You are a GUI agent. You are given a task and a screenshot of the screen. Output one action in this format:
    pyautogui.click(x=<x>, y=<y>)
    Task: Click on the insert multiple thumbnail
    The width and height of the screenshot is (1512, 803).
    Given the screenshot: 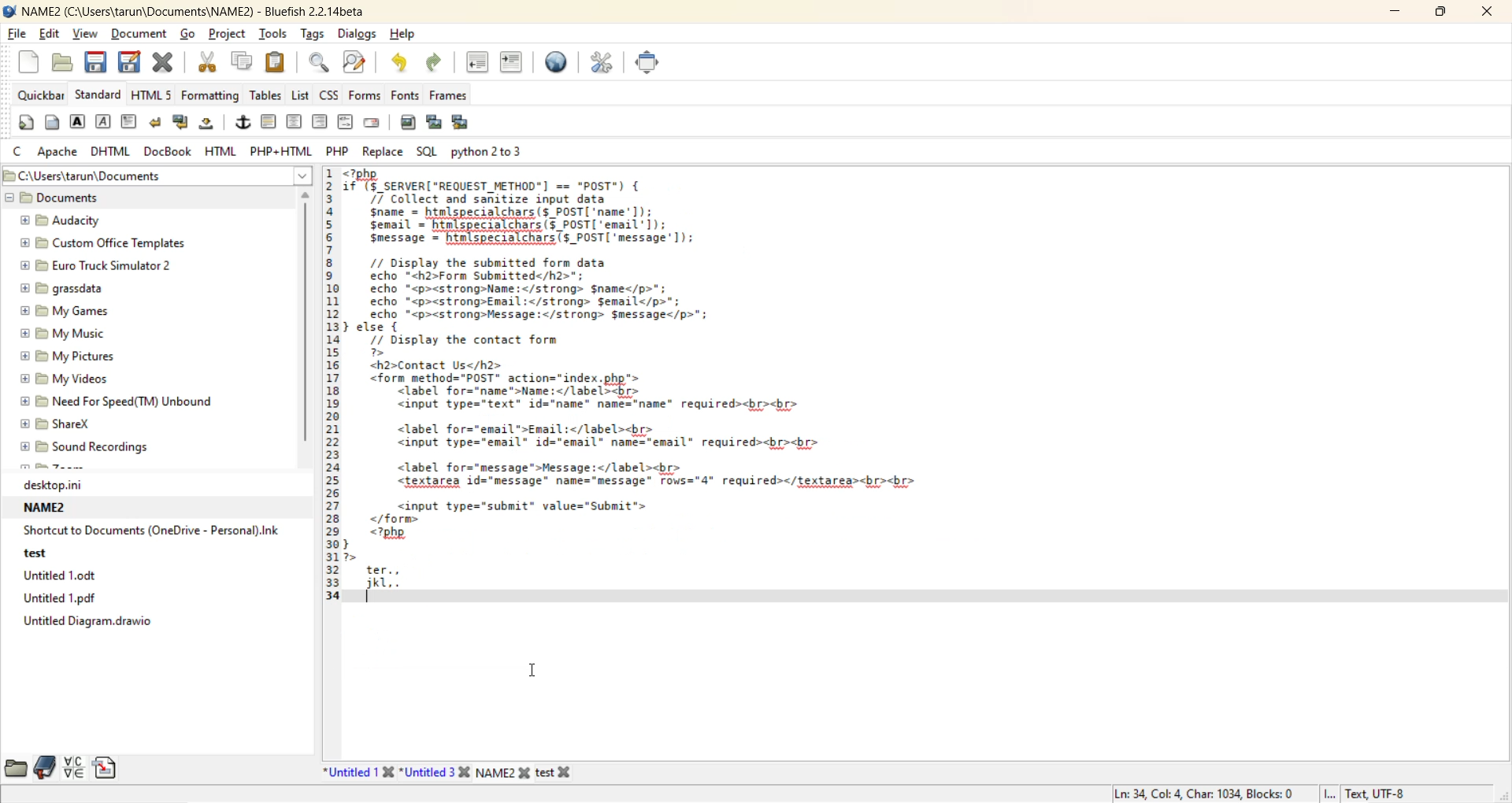 What is the action you would take?
    pyautogui.click(x=464, y=122)
    